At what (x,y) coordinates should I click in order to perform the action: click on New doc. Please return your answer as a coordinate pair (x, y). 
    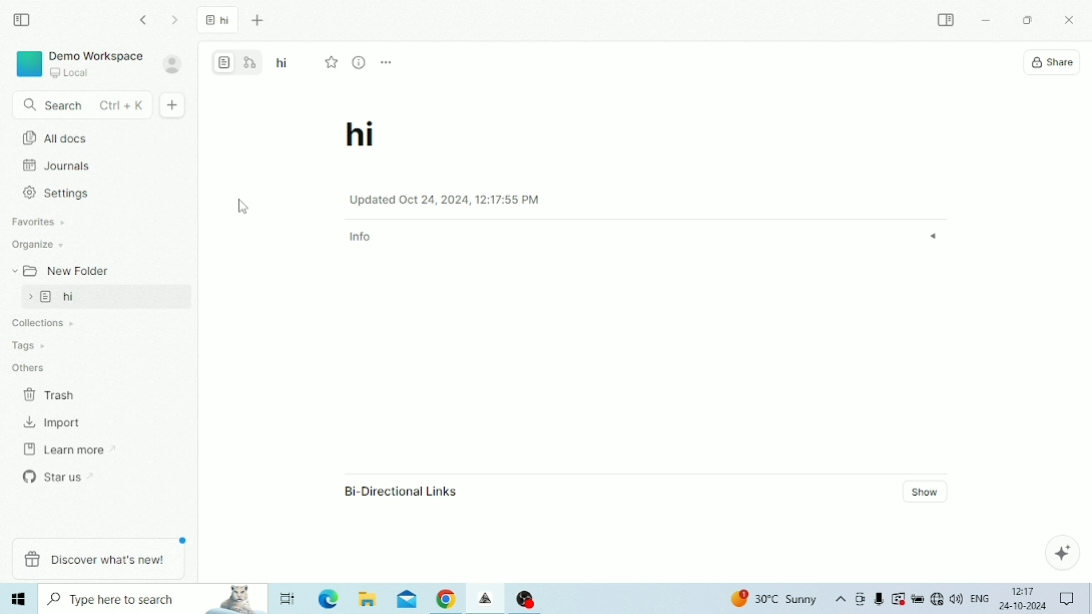
    Looking at the image, I should click on (174, 105).